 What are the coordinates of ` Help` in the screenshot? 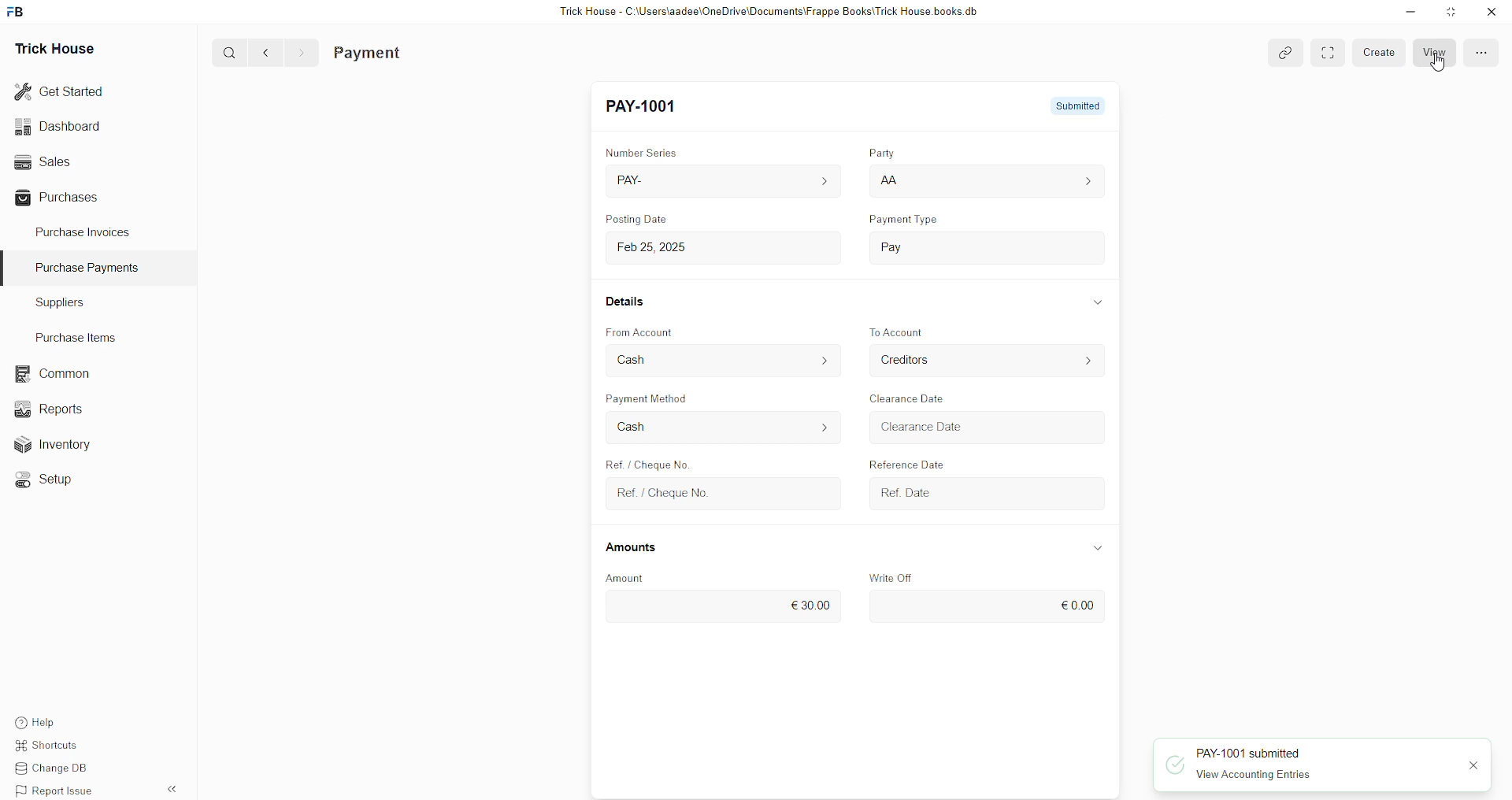 It's located at (59, 720).